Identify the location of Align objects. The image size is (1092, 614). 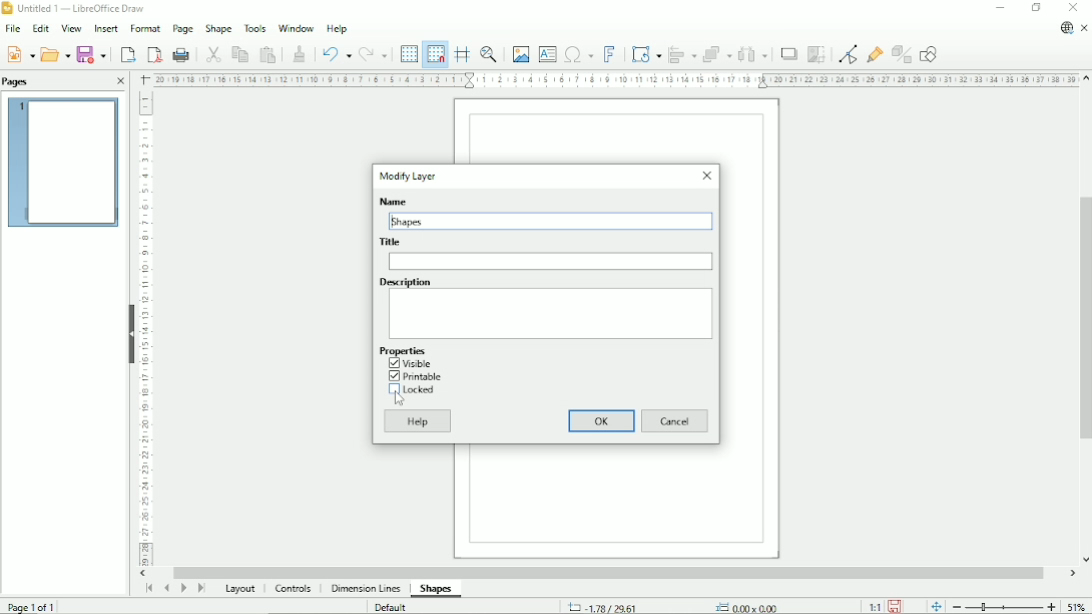
(682, 53).